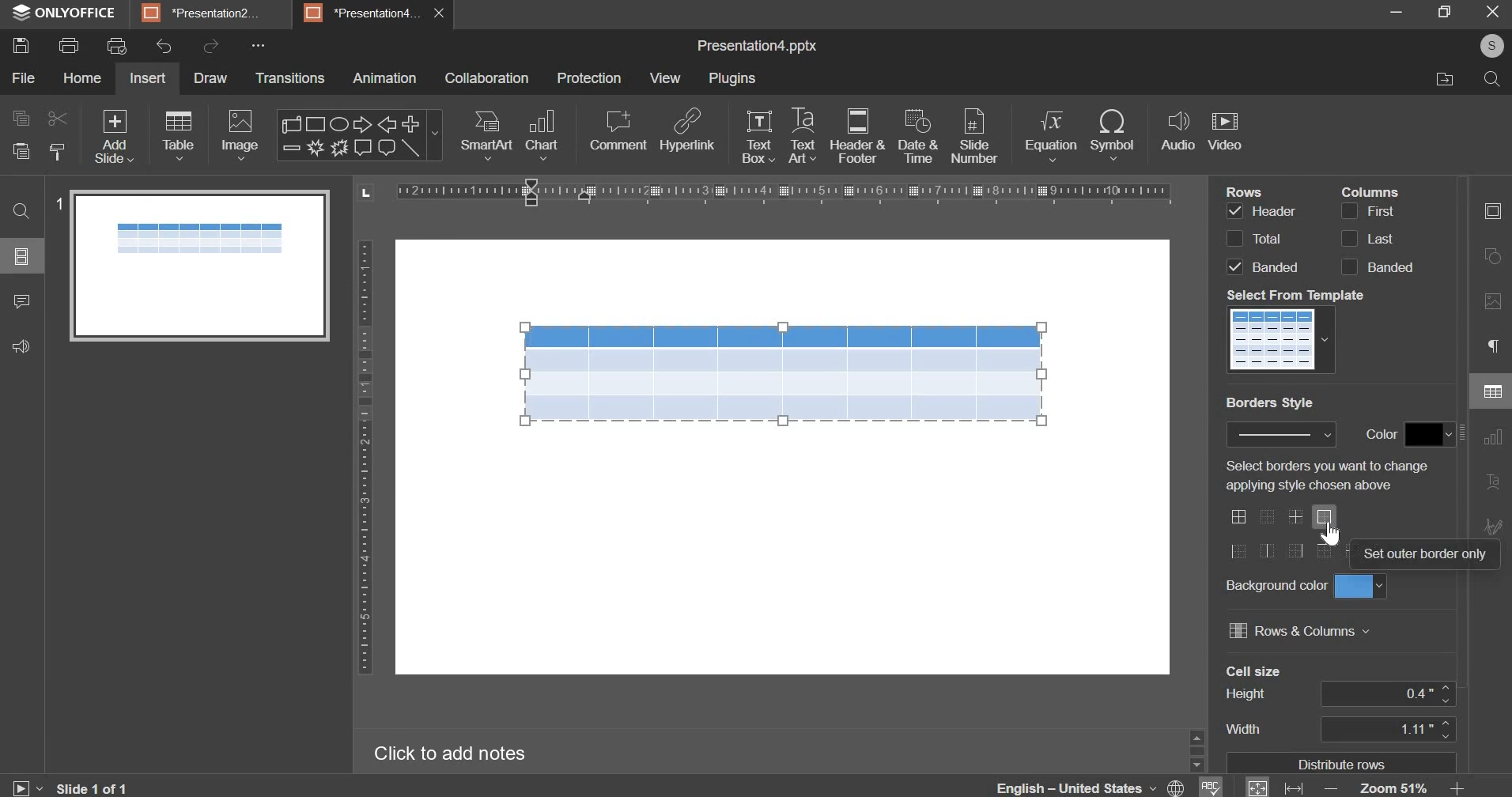 This screenshot has width=1512, height=797. I want to click on border, so click(1269, 516).